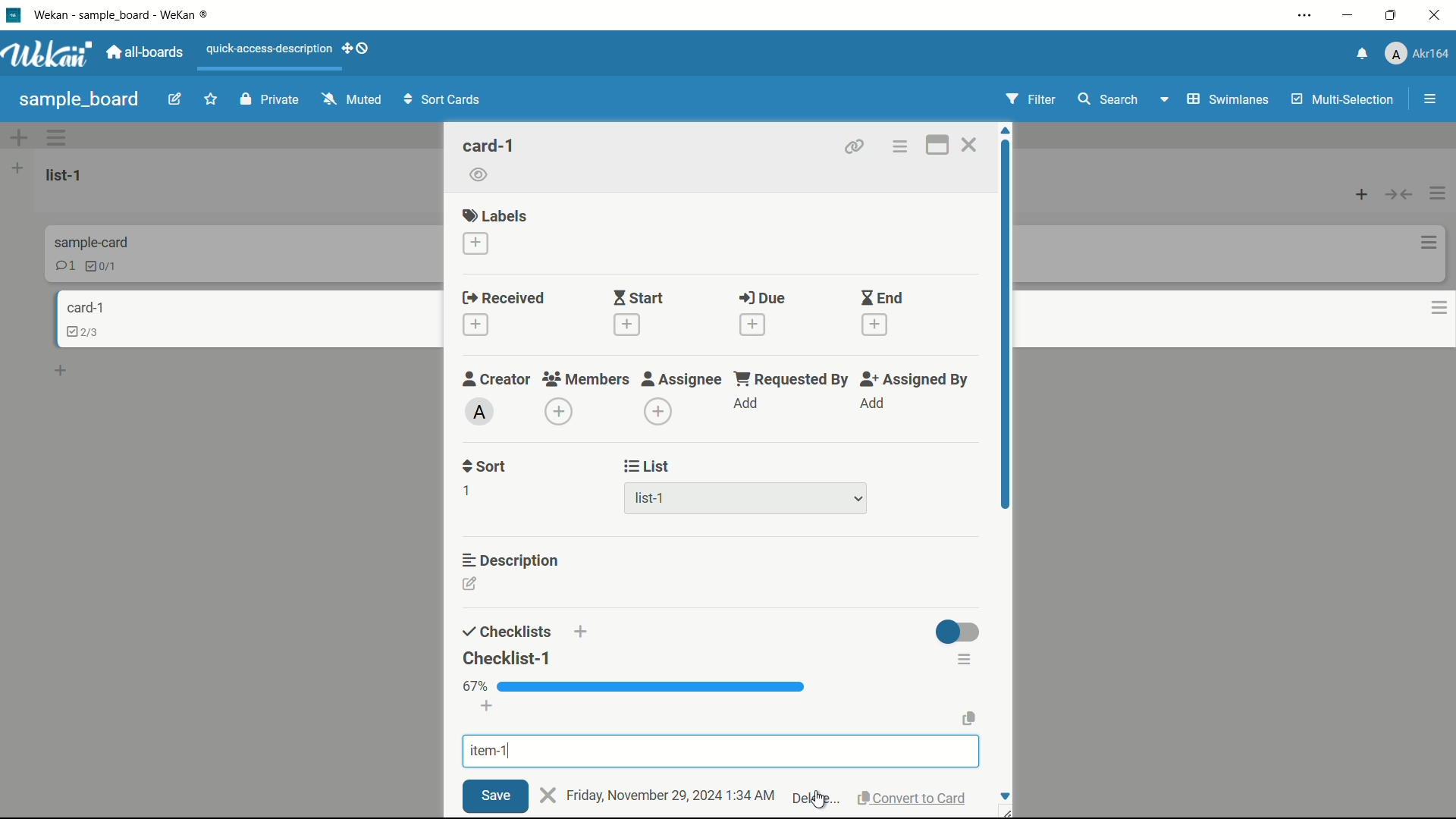 The width and height of the screenshot is (1456, 819). What do you see at coordinates (654, 499) in the screenshot?
I see `list-1` at bounding box center [654, 499].